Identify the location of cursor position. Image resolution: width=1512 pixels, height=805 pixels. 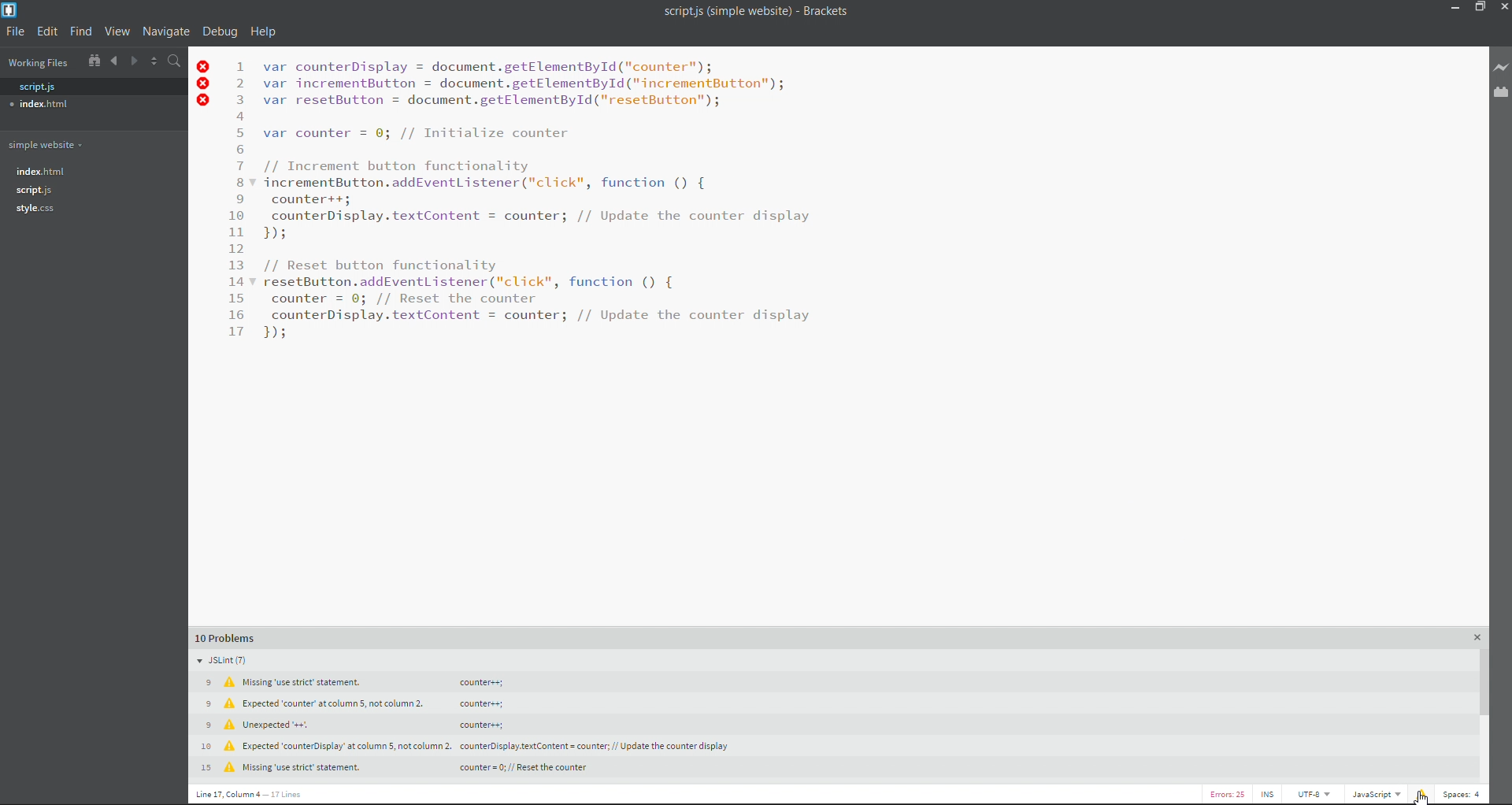
(281, 796).